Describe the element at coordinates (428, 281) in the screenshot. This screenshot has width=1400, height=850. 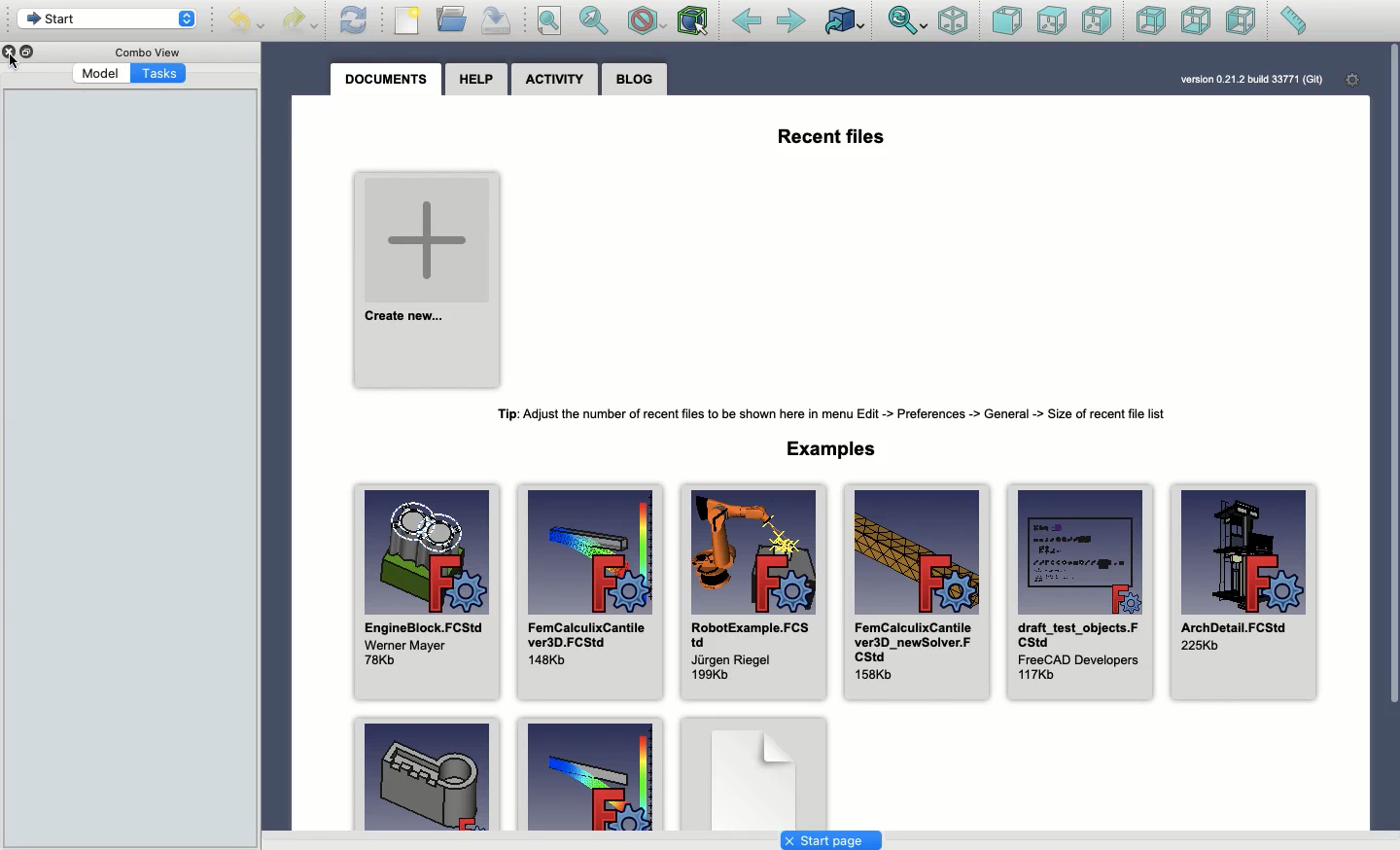
I see `Create new` at that location.